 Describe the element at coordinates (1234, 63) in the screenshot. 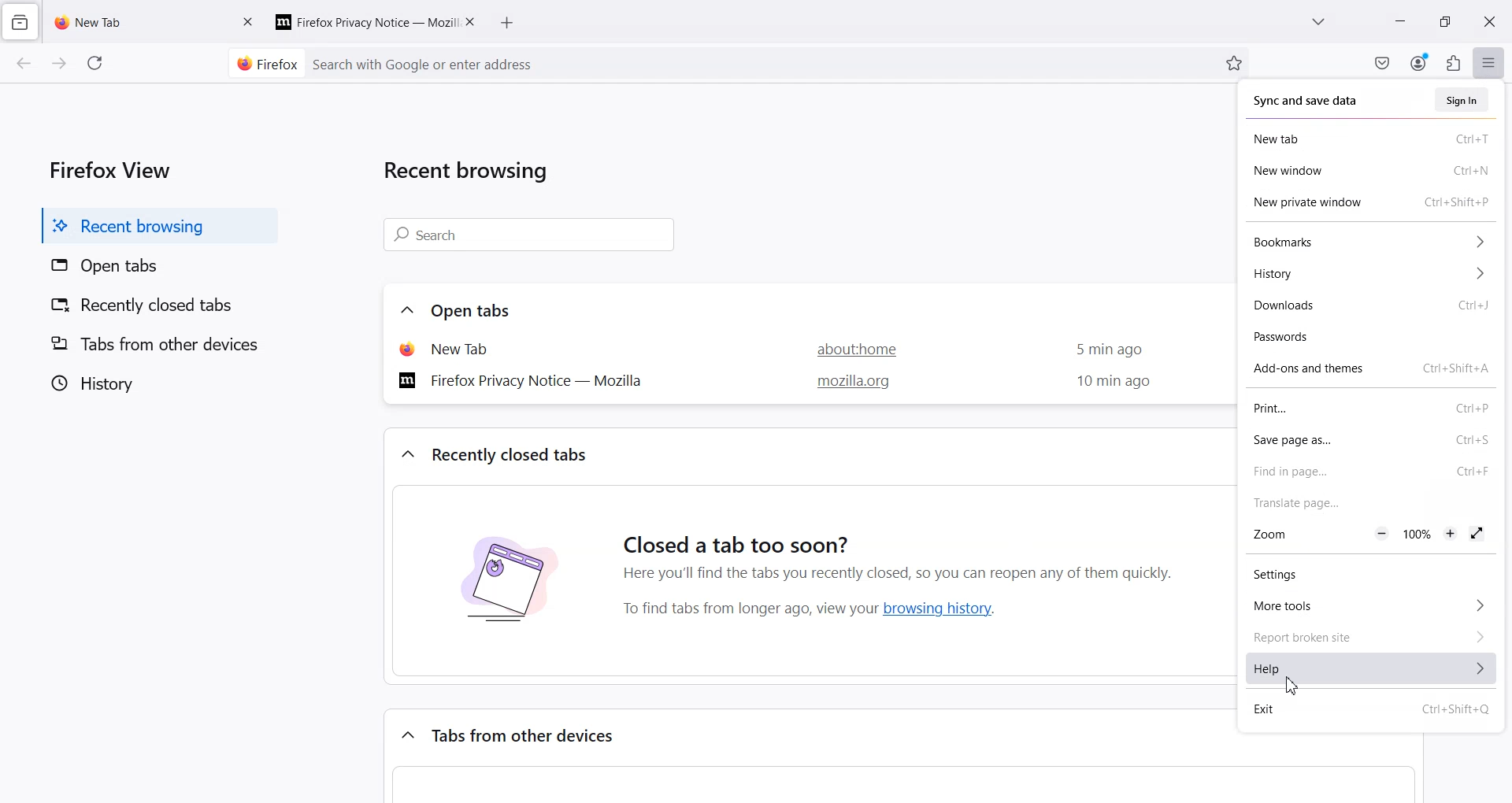

I see `Bookmark` at that location.